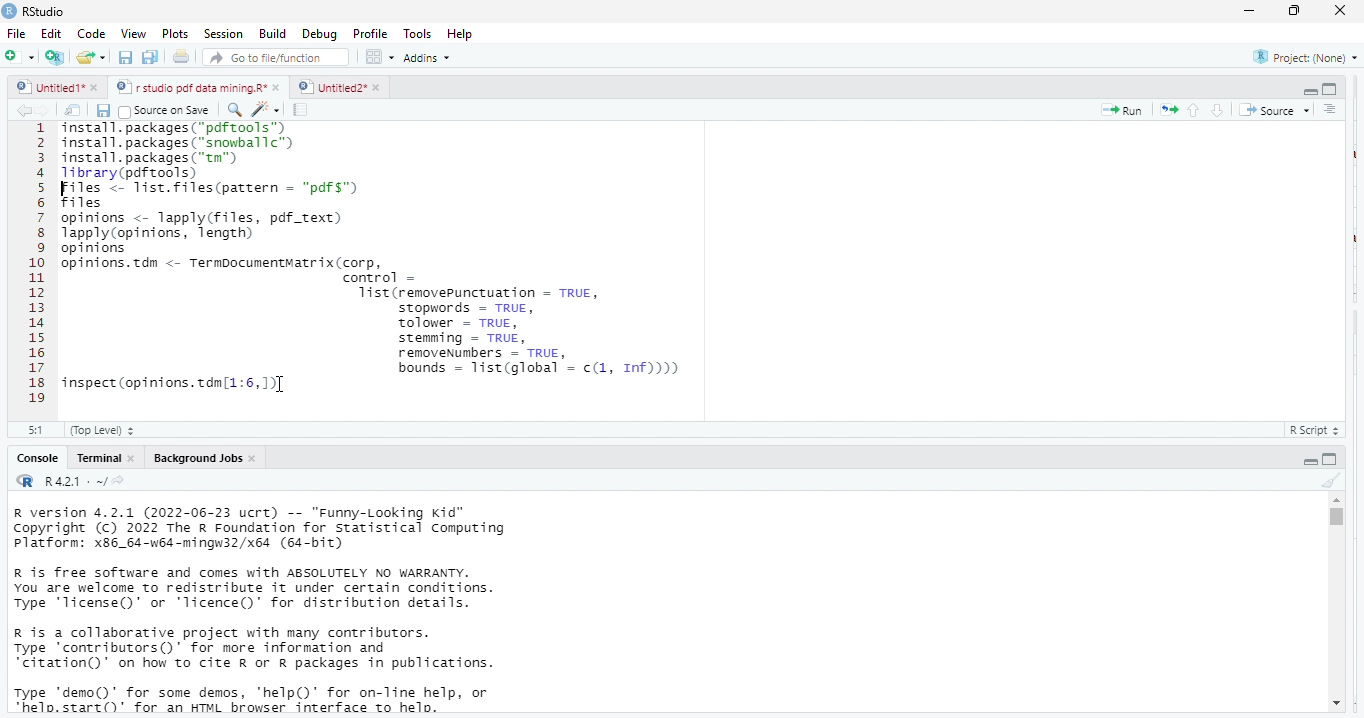 This screenshot has width=1364, height=718. What do you see at coordinates (1310, 92) in the screenshot?
I see `hide r script` at bounding box center [1310, 92].